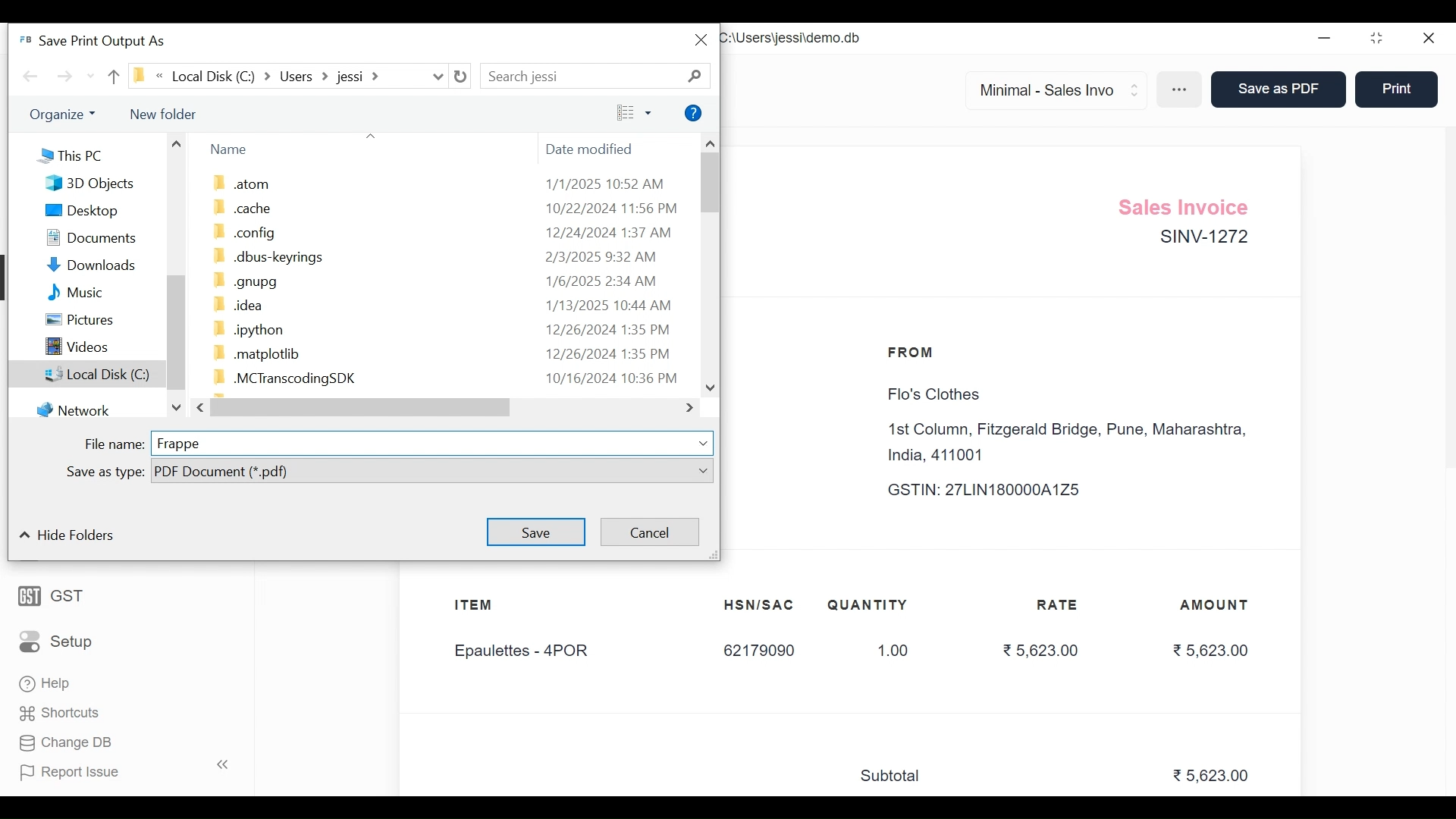  I want to click on 1/6/2025 2:34 AM, so click(604, 280).